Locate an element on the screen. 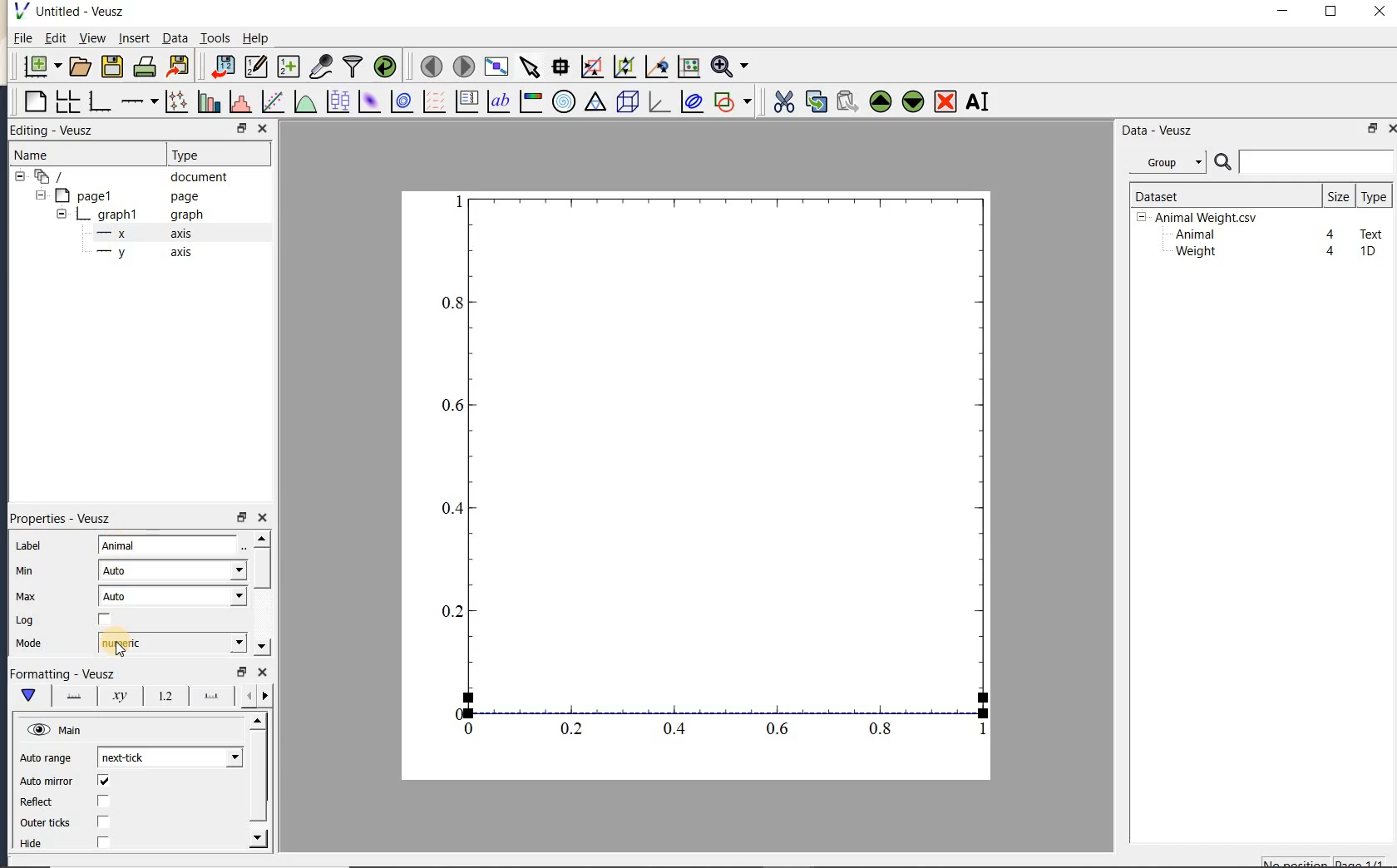 Image resolution: width=1397 pixels, height=868 pixels. page1 is located at coordinates (119, 197).